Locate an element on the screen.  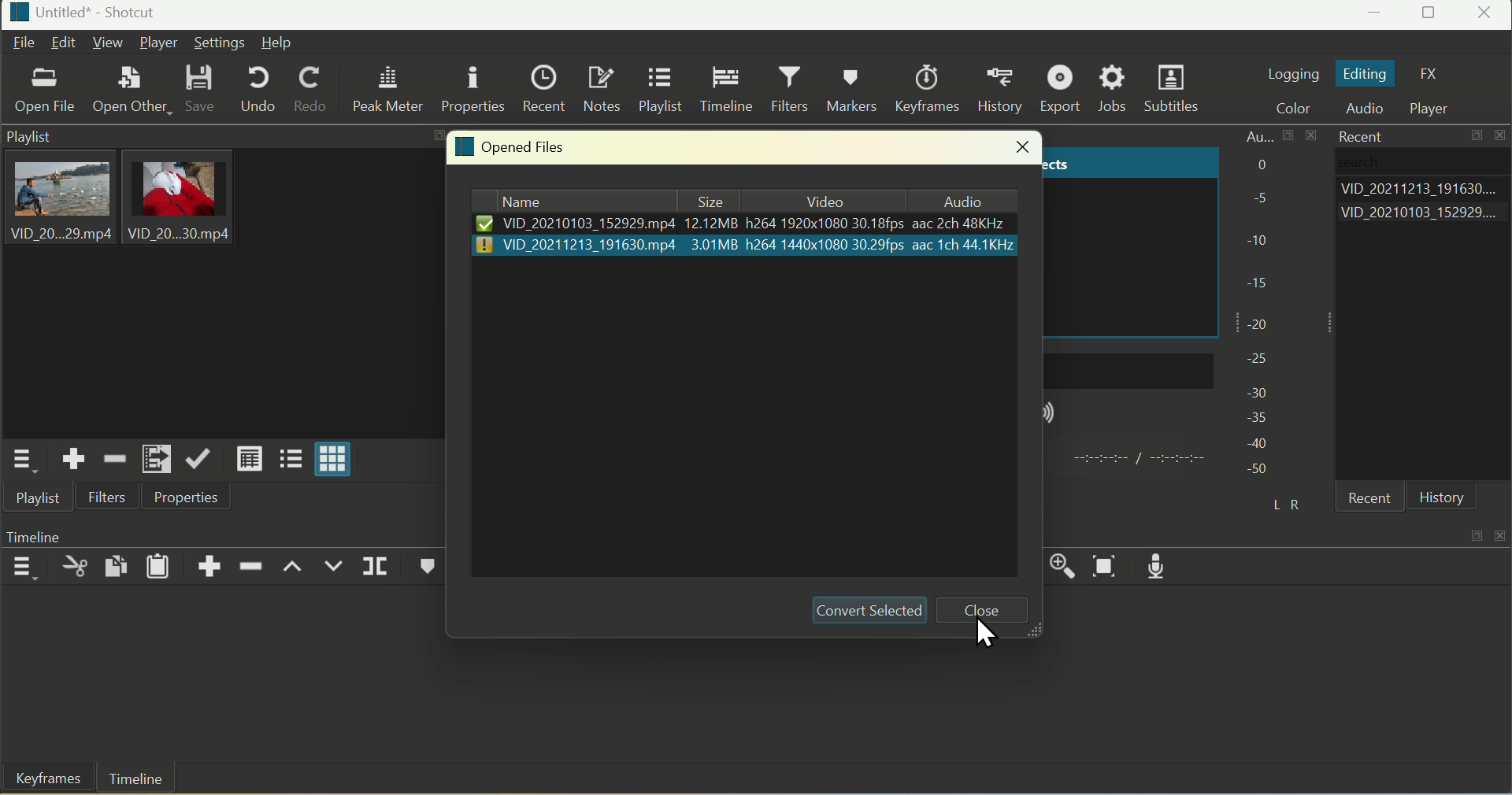
Timeline is located at coordinates (57, 534).